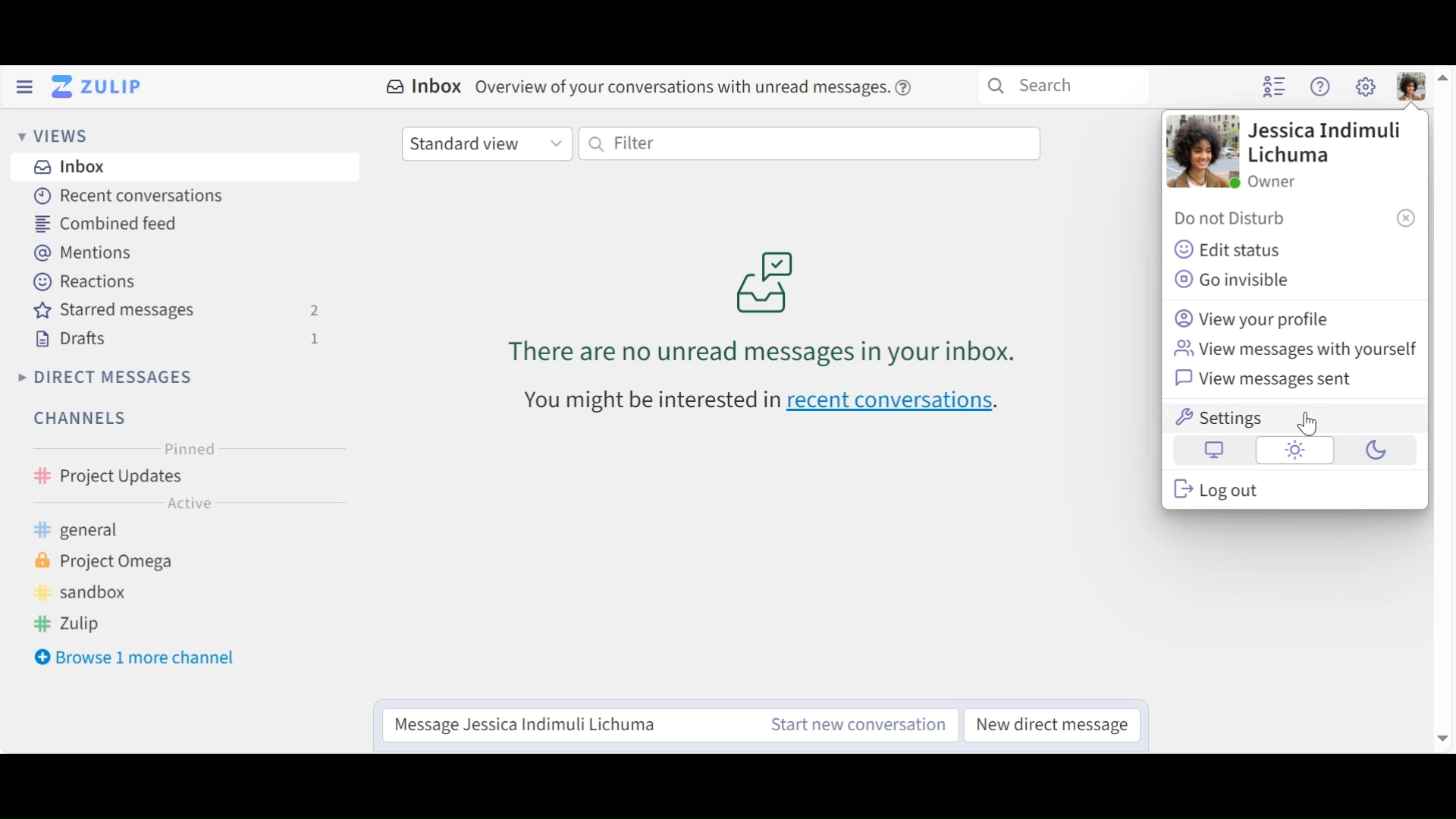  What do you see at coordinates (183, 340) in the screenshot?
I see `Drafts` at bounding box center [183, 340].